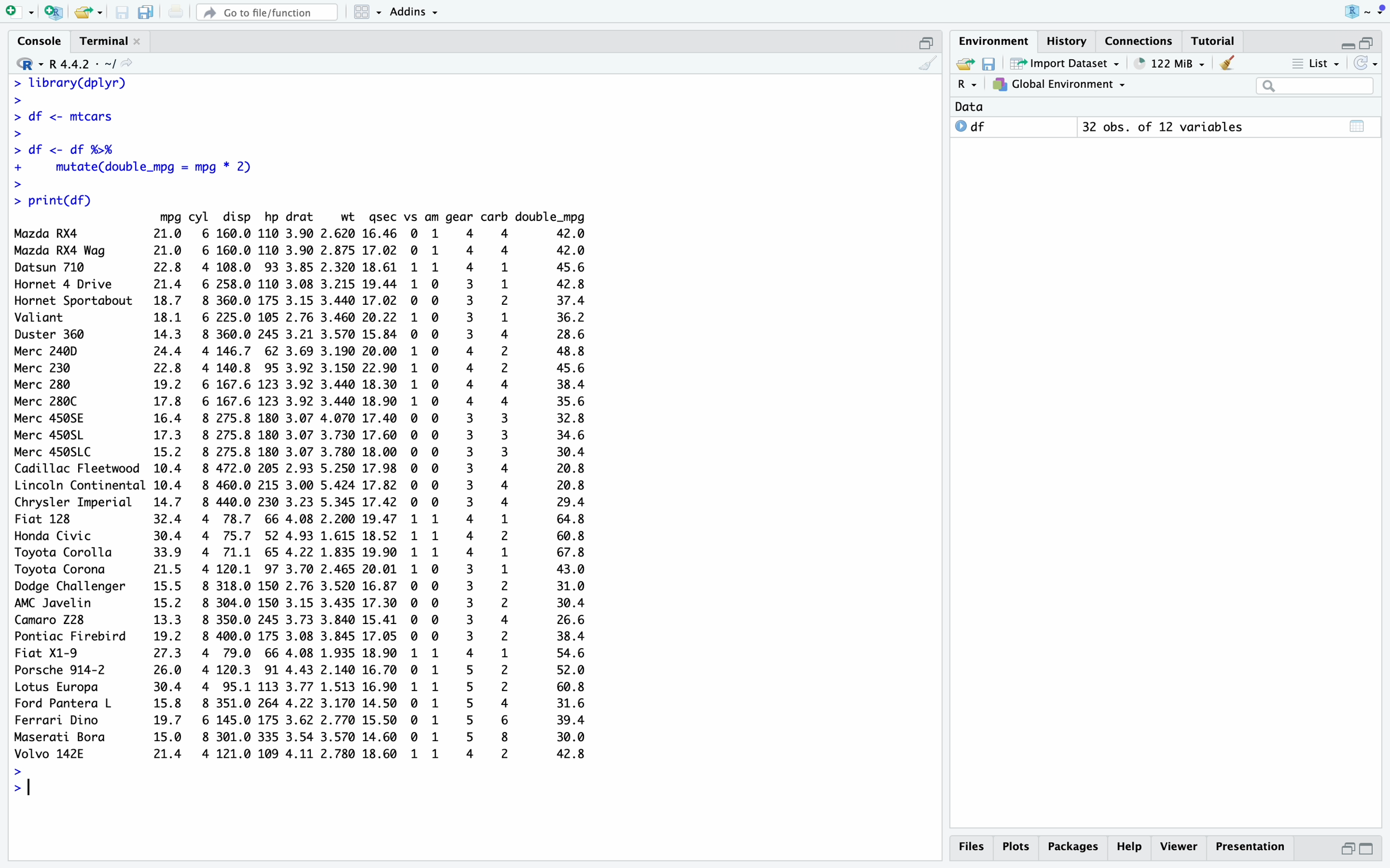 Image resolution: width=1390 pixels, height=868 pixels. Describe the element at coordinates (30, 64) in the screenshot. I see `R` at that location.